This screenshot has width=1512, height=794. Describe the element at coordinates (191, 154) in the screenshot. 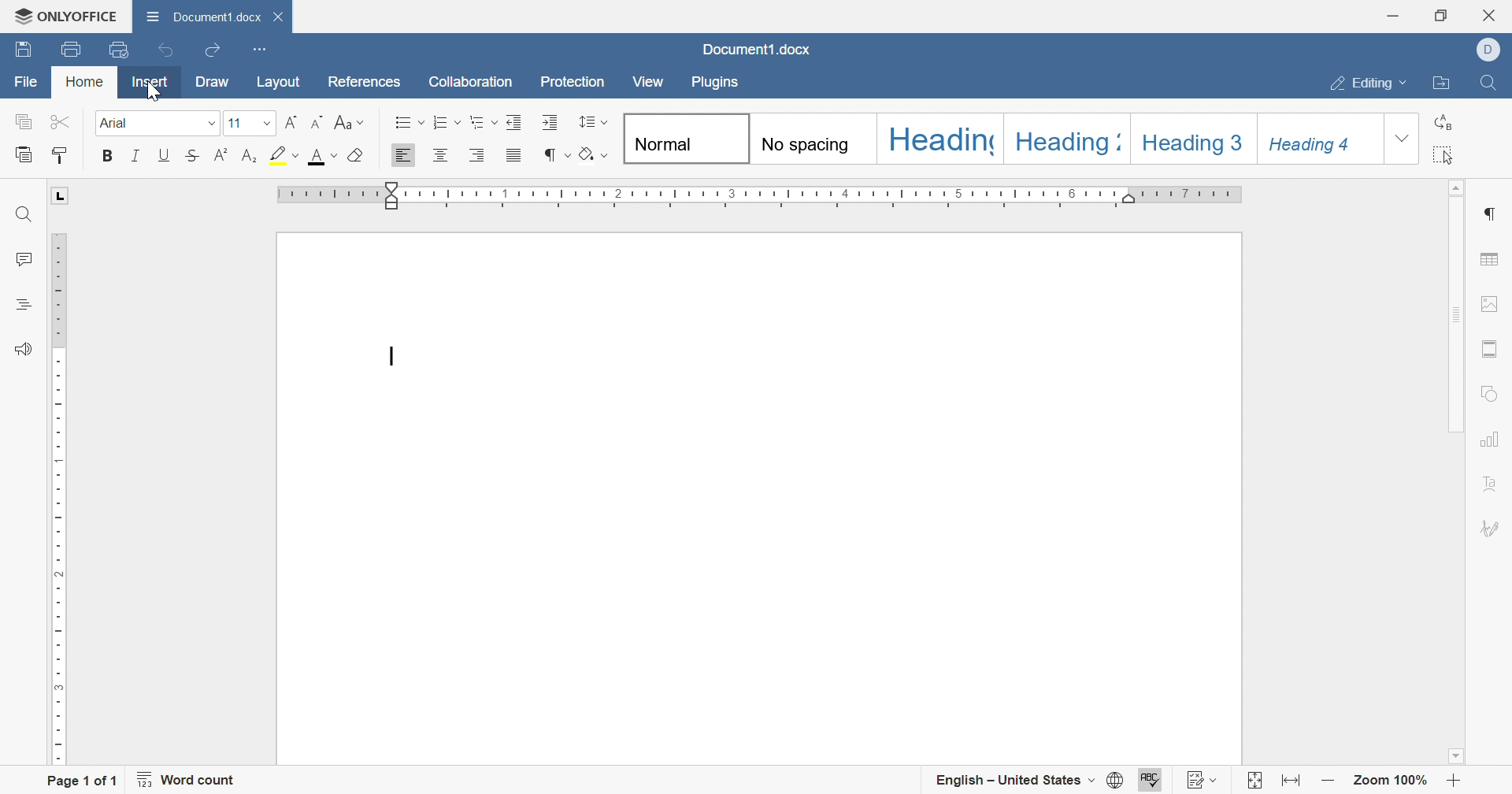

I see `Strikethrough` at that location.